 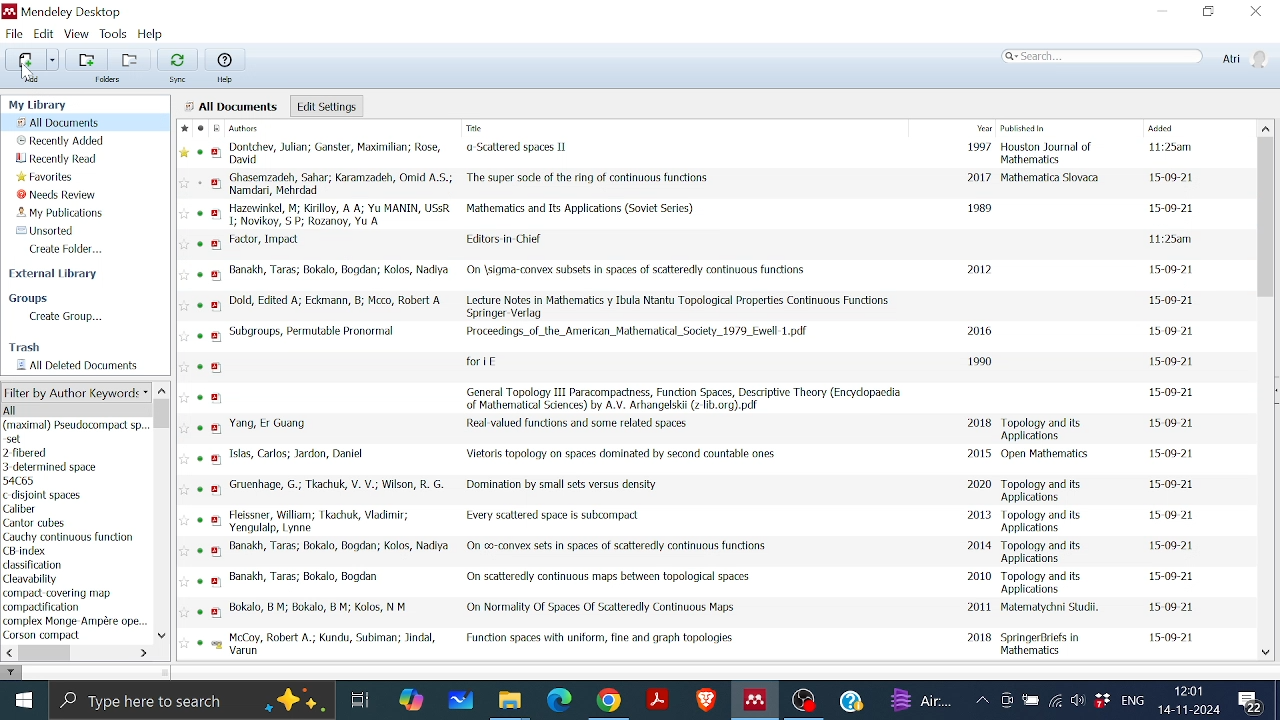 I want to click on Favourite, so click(x=183, y=490).